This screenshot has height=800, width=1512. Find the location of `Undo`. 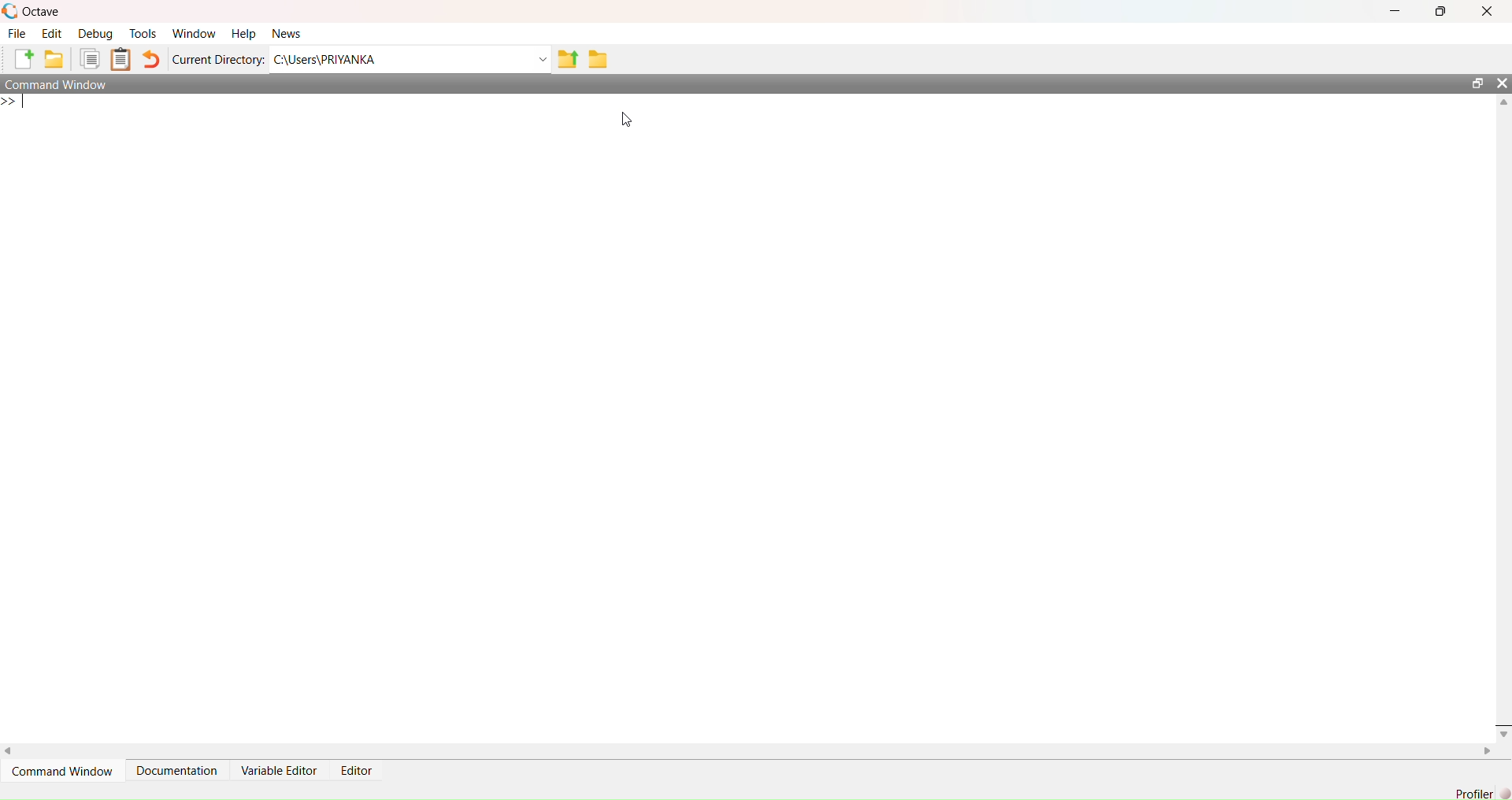

Undo is located at coordinates (152, 60).